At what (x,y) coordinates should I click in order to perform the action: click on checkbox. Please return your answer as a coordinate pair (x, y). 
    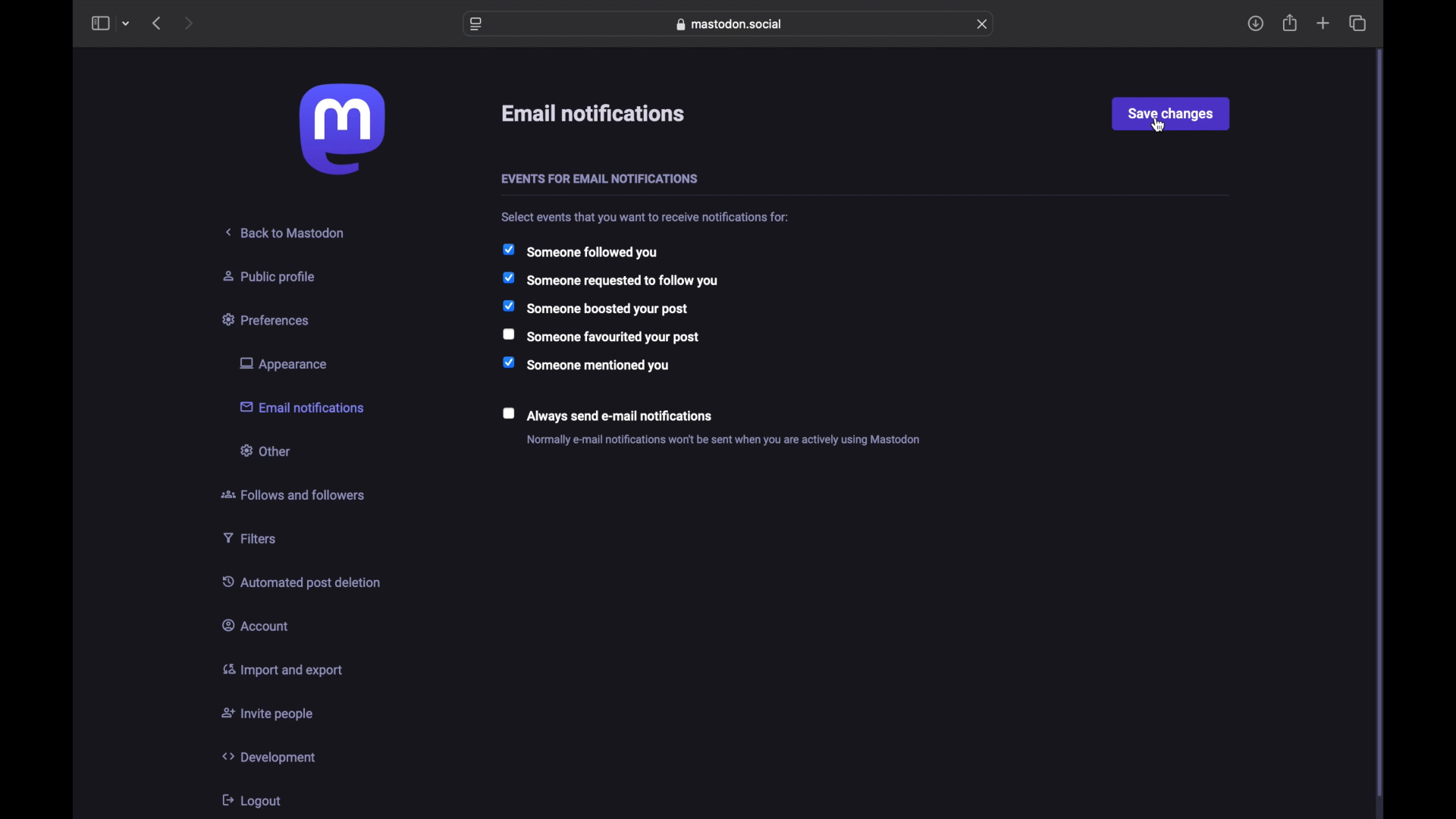
    Looking at the image, I should click on (602, 336).